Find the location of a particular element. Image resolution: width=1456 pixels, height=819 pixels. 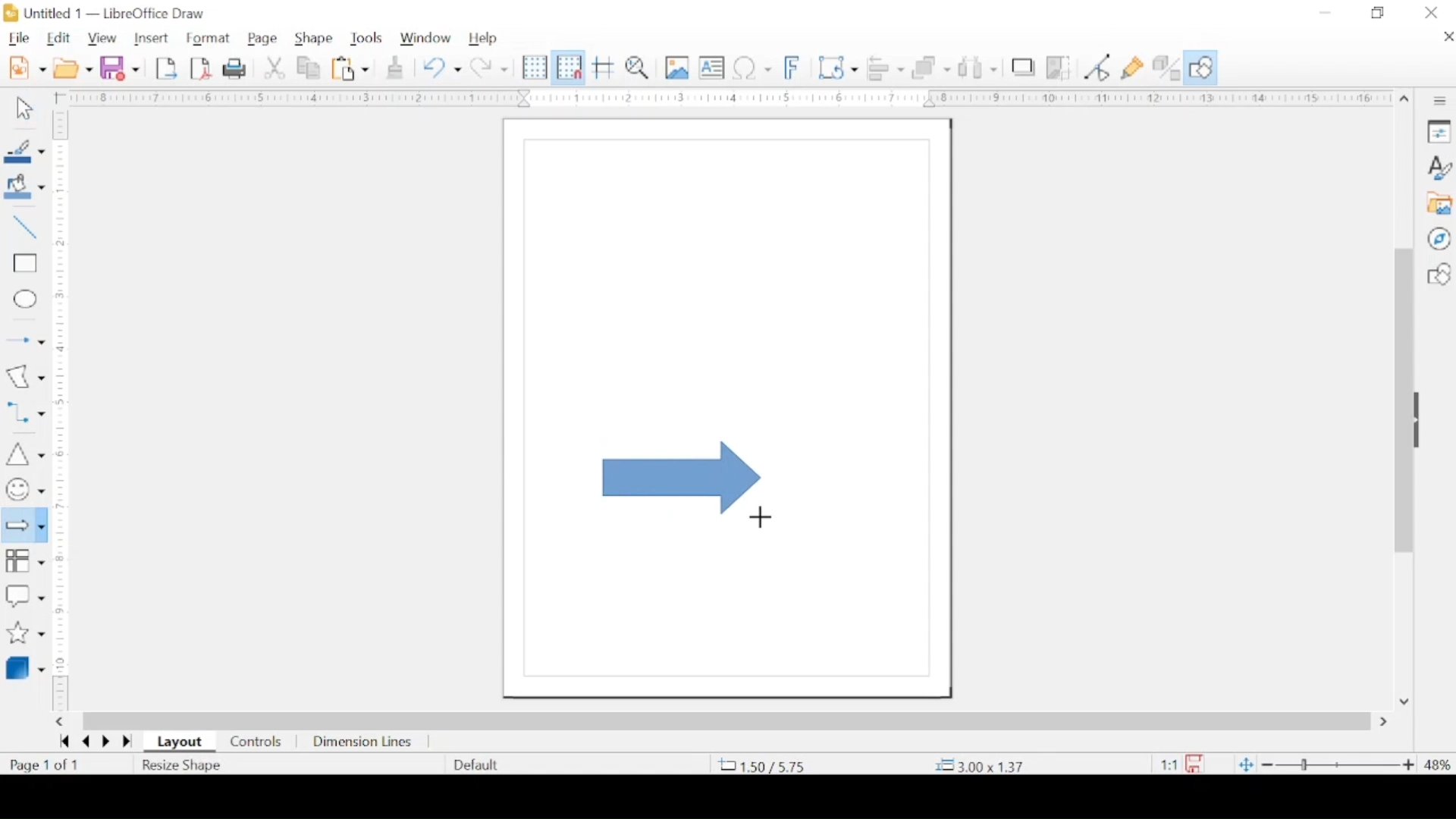

scroll left is located at coordinates (58, 722).